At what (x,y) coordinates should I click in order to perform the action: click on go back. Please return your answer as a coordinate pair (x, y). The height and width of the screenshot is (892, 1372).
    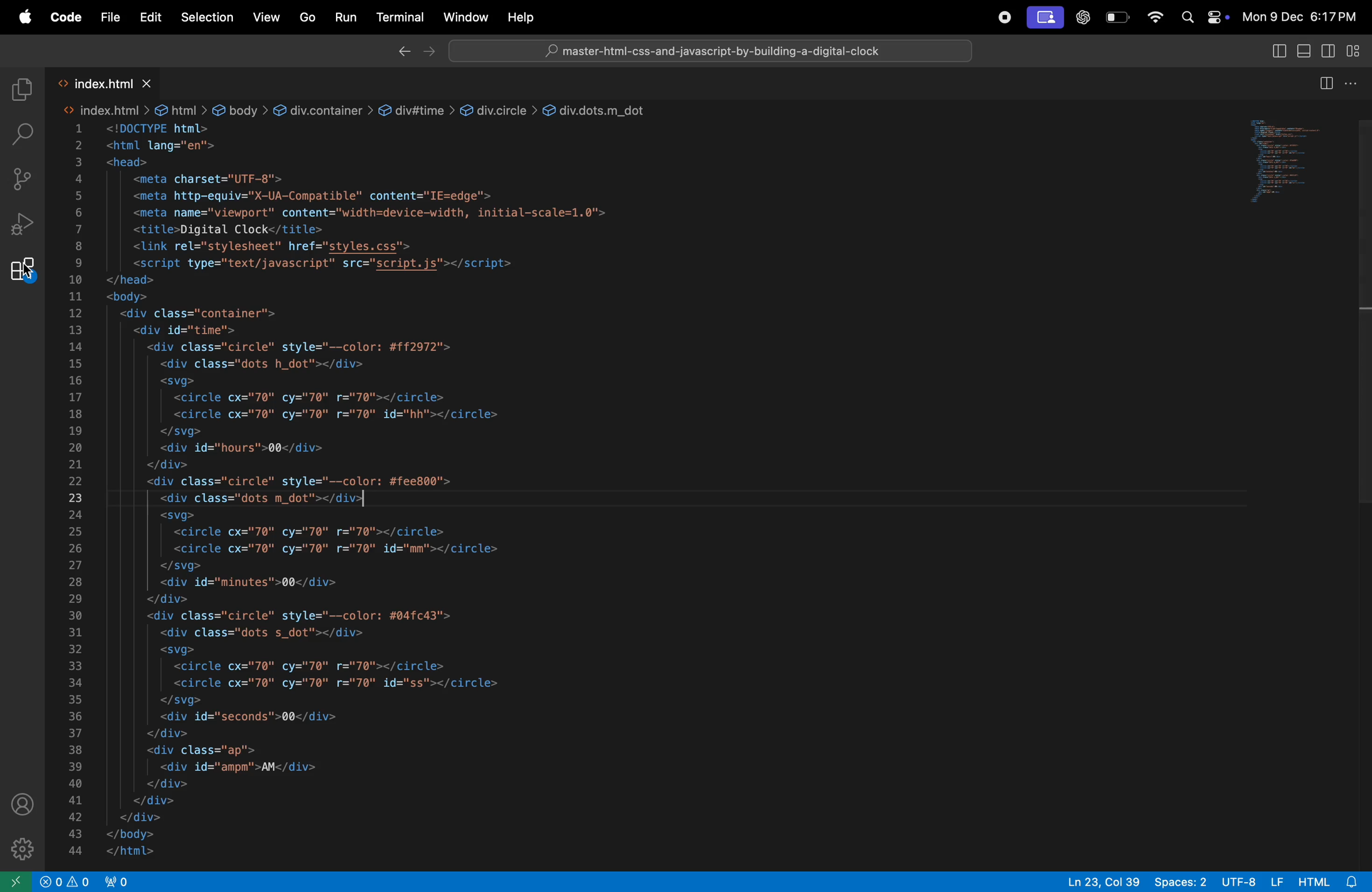
    Looking at the image, I should click on (14, 882).